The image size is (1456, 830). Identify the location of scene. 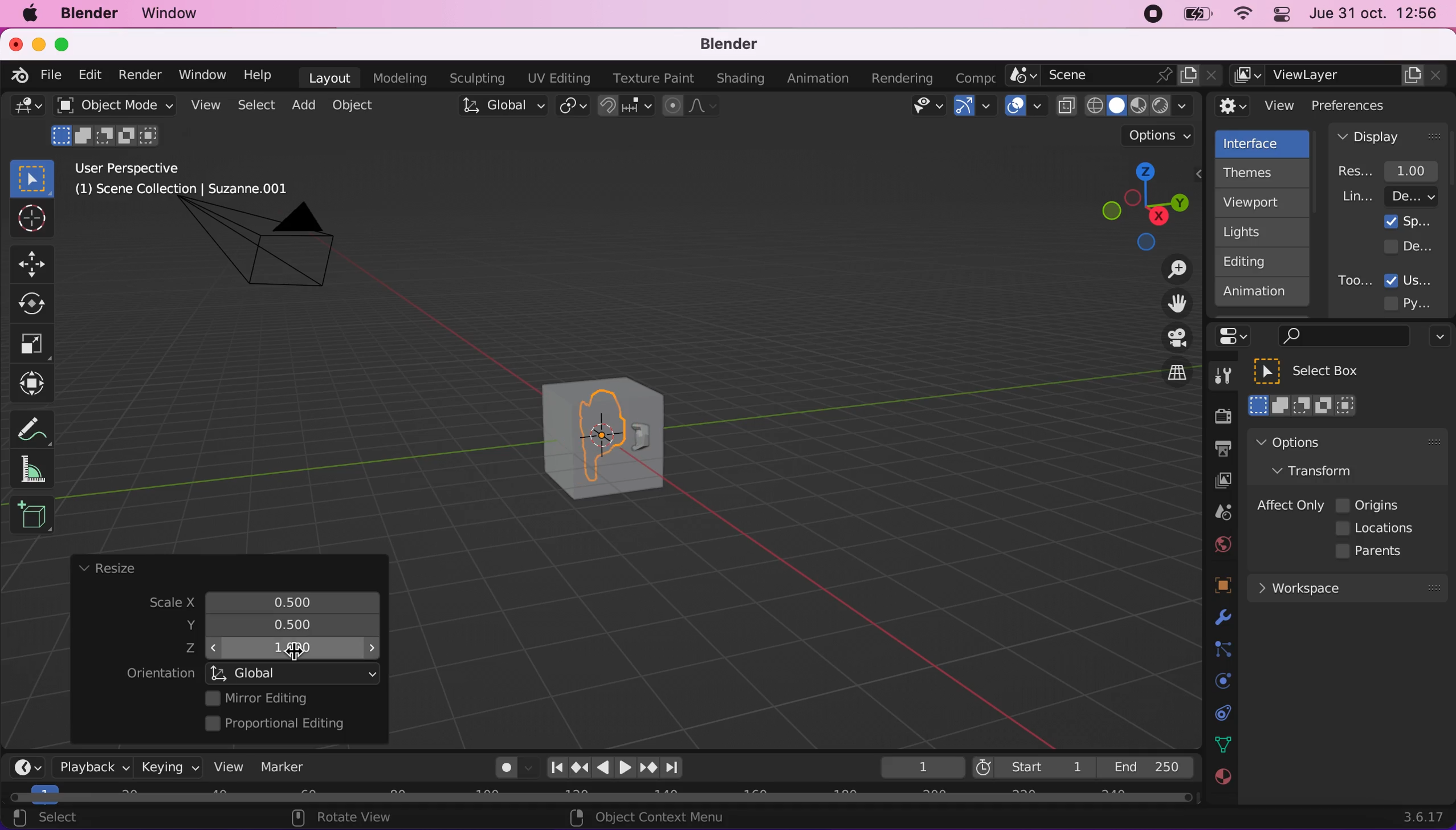
(1218, 513).